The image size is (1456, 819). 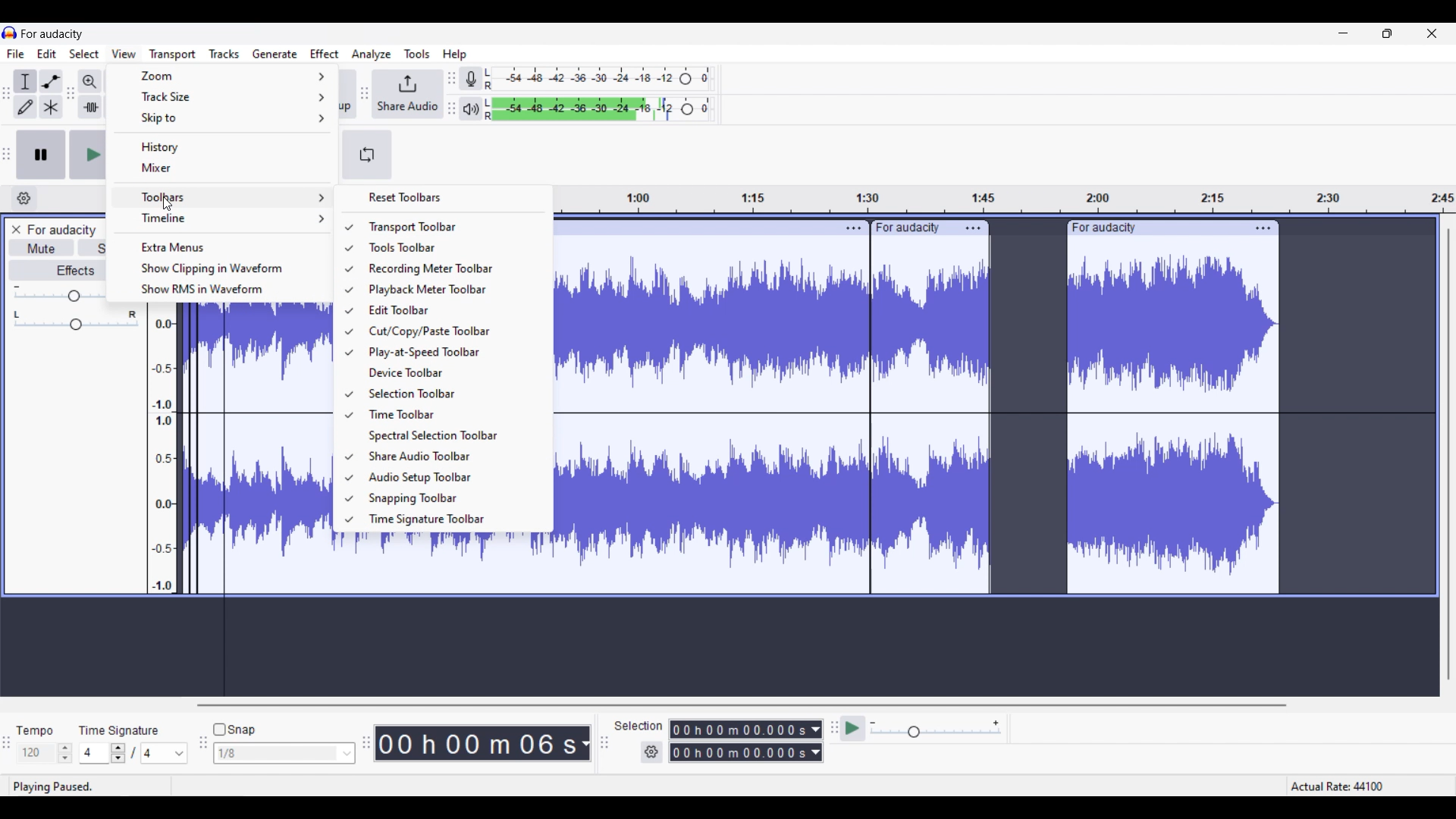 I want to click on Timeline options, so click(x=224, y=219).